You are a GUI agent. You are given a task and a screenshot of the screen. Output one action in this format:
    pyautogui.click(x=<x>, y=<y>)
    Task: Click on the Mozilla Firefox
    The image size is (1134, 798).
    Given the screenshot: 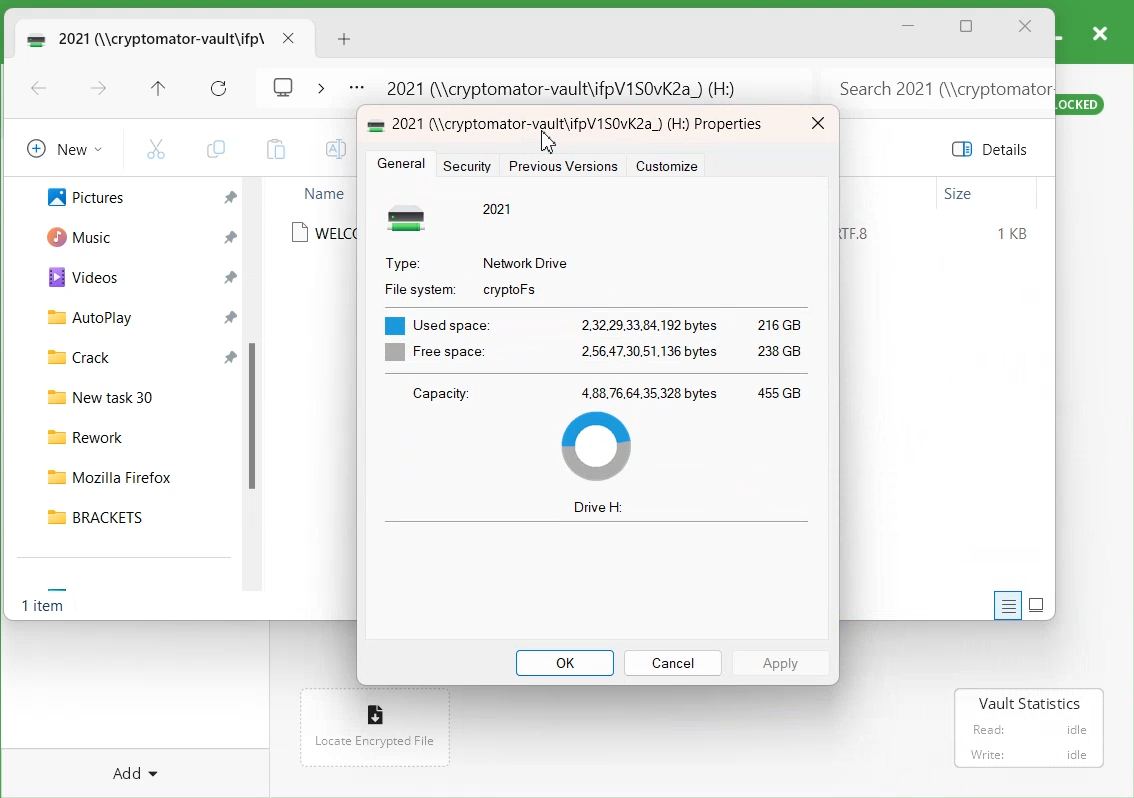 What is the action you would take?
    pyautogui.click(x=131, y=473)
    